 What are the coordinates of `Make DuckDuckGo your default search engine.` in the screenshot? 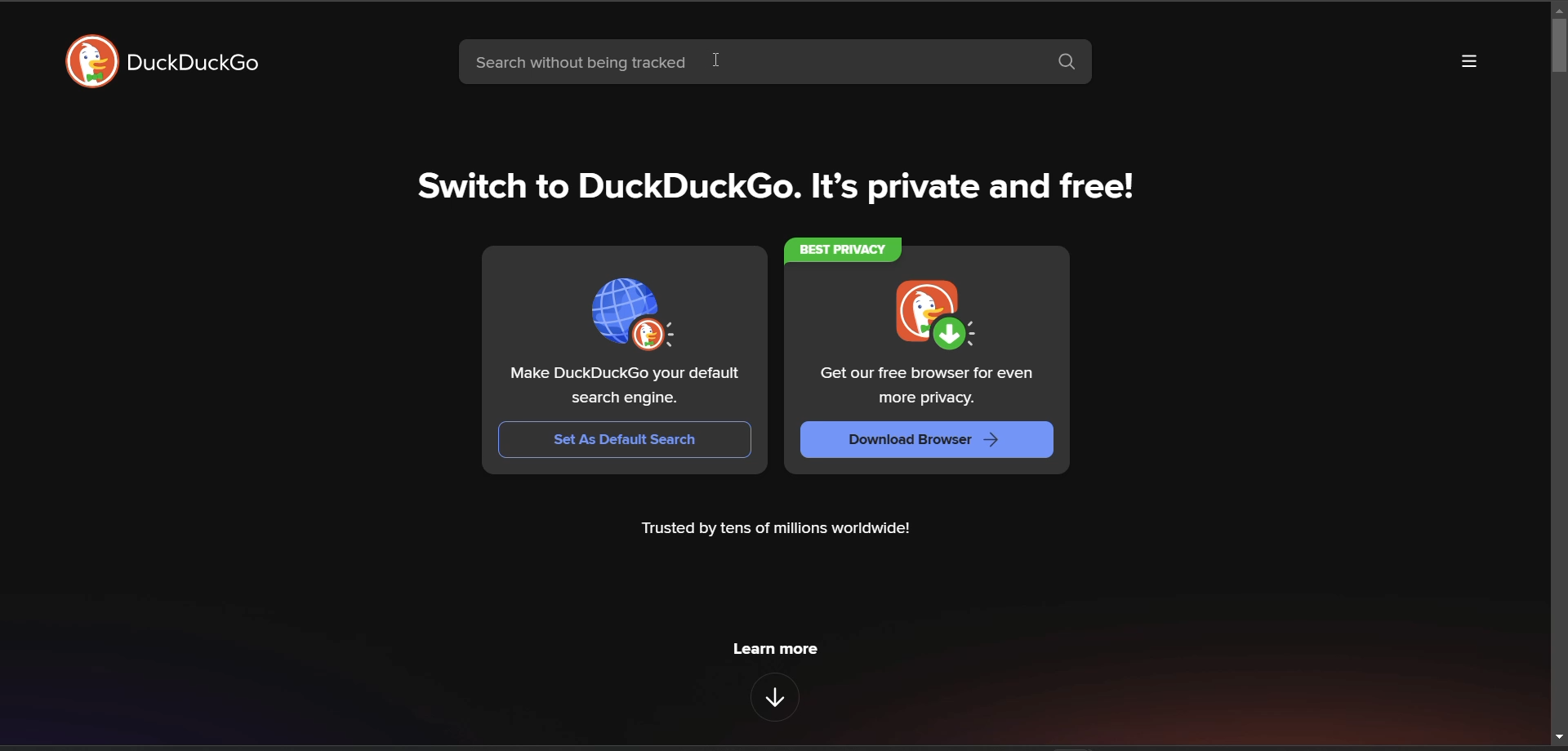 It's located at (626, 386).